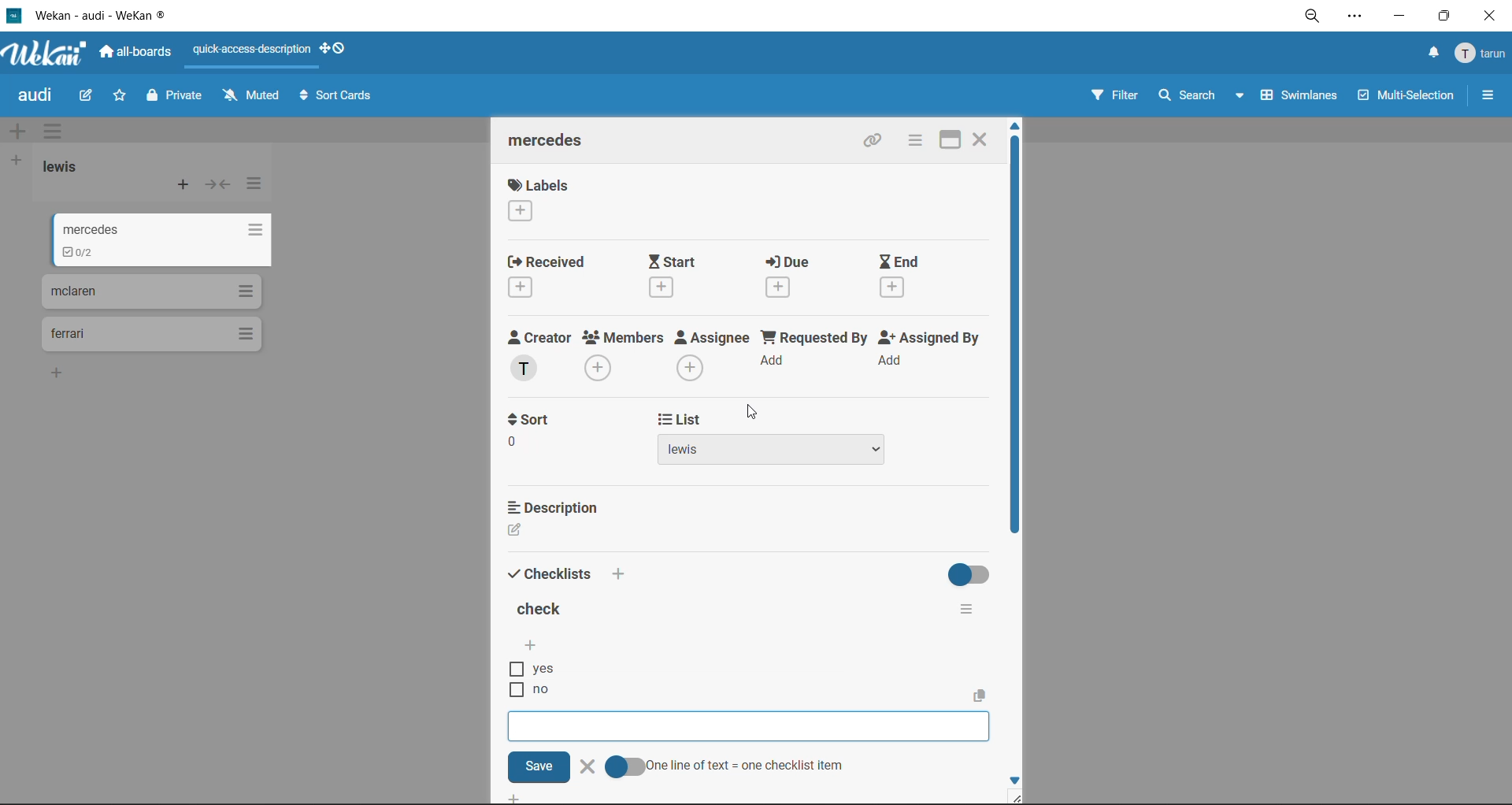 The width and height of the screenshot is (1512, 805). What do you see at coordinates (161, 228) in the screenshot?
I see `mercedes` at bounding box center [161, 228].